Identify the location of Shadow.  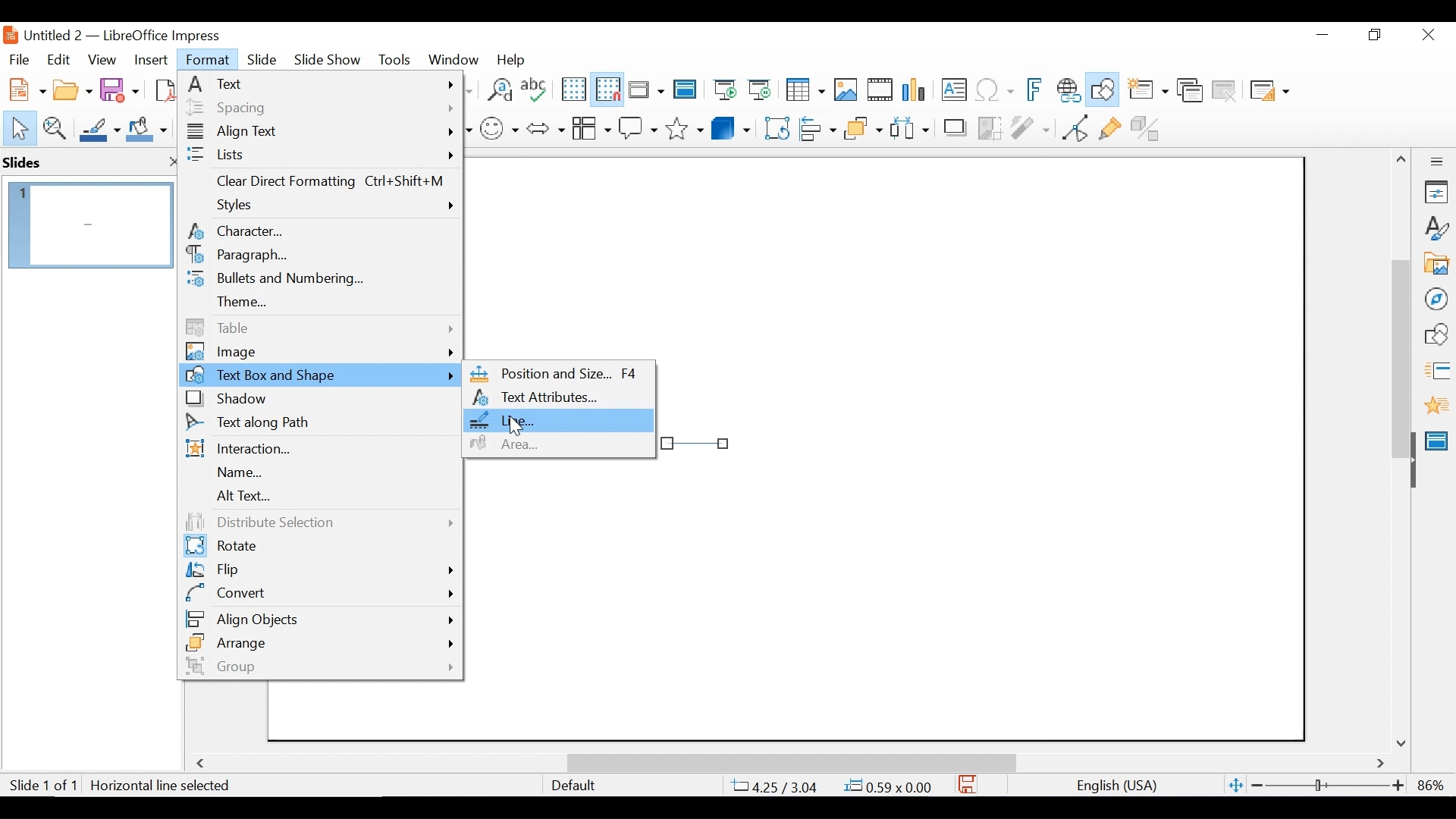
(319, 399).